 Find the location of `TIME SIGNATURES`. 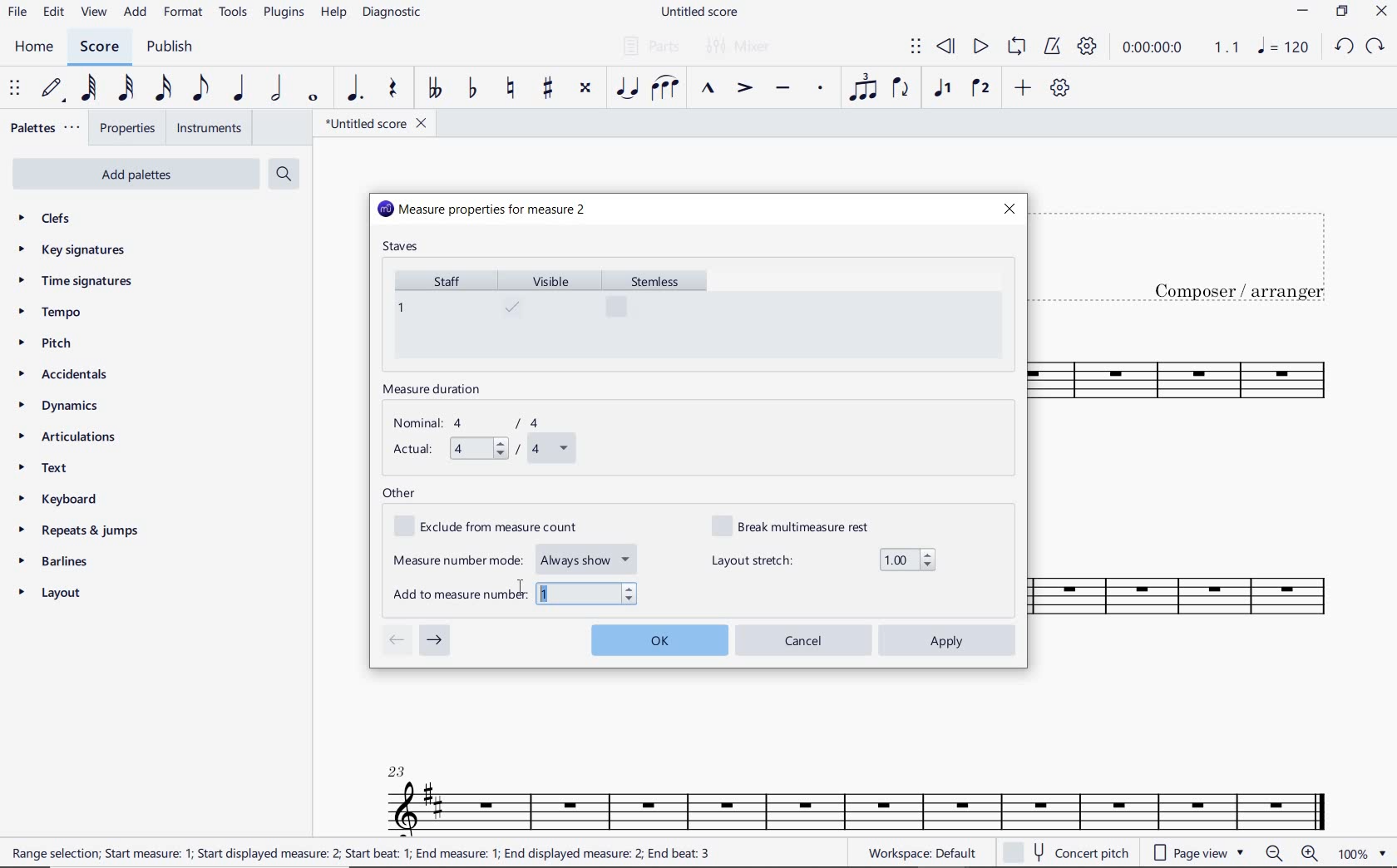

TIME SIGNATURES is located at coordinates (77, 282).